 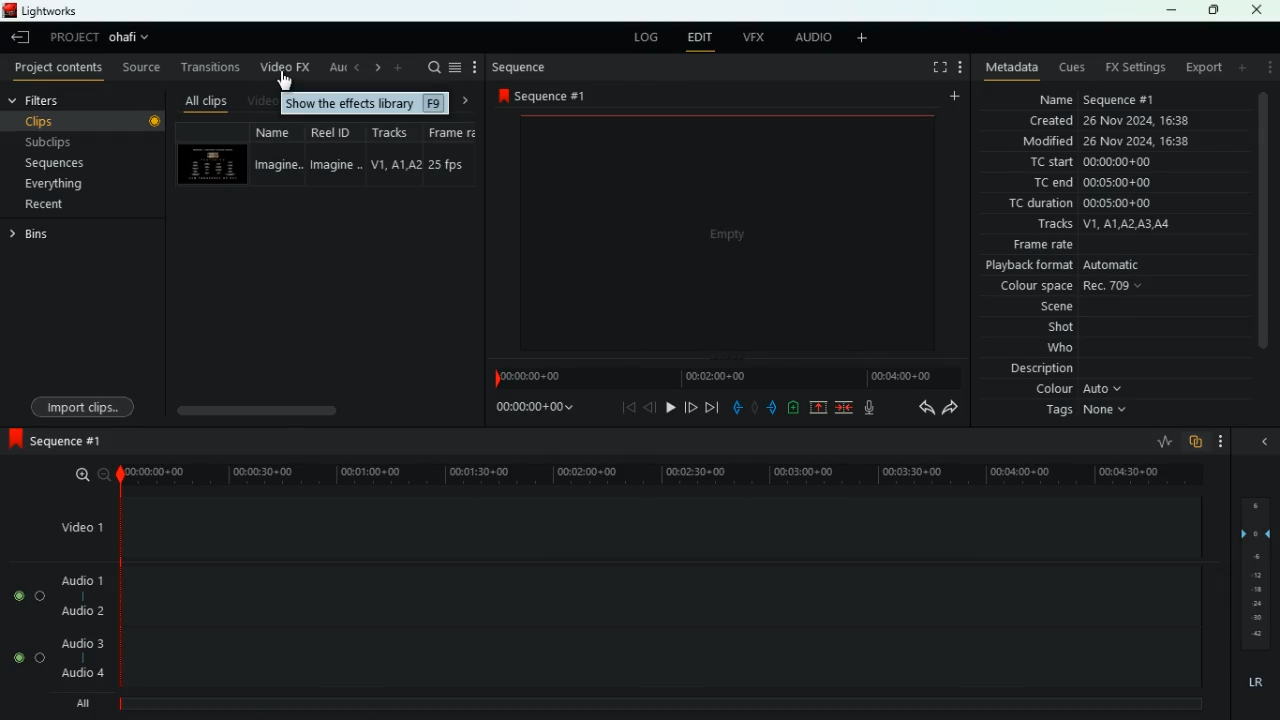 I want to click on name, so click(x=1109, y=99).